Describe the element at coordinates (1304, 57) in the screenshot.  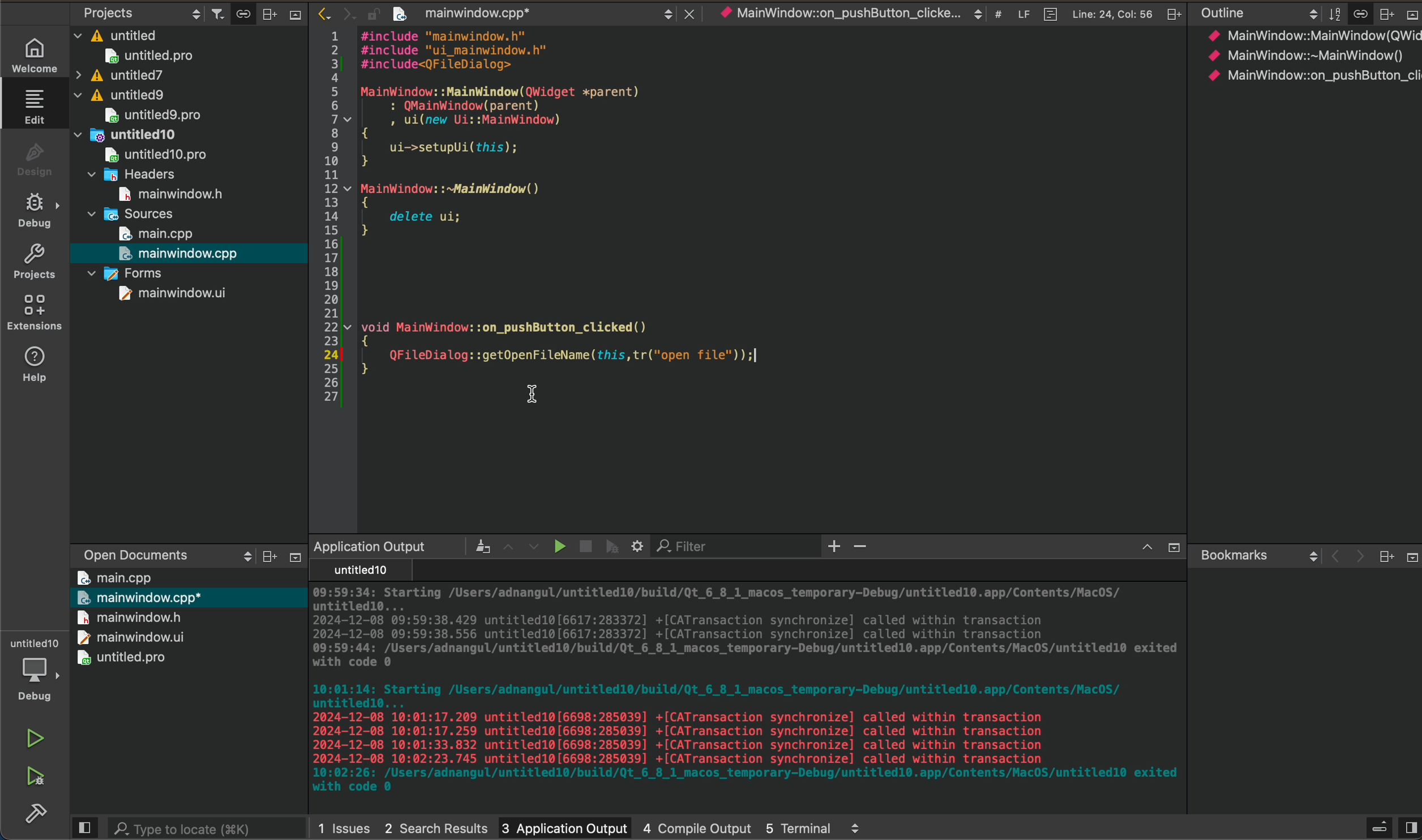
I see `¢ MainWindow::~MainWindow()` at that location.